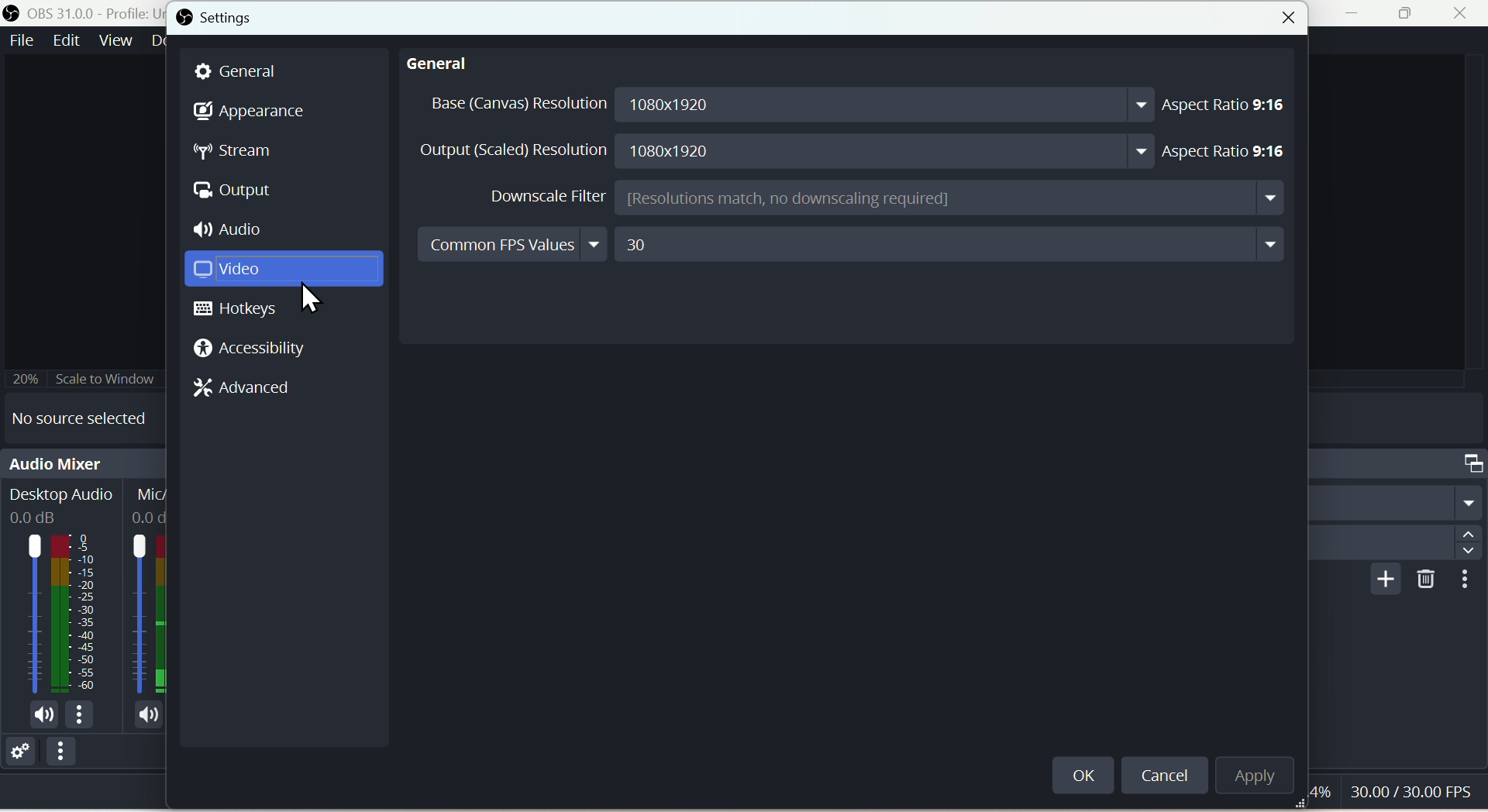  Describe the element at coordinates (1465, 15) in the screenshot. I see `close` at that location.